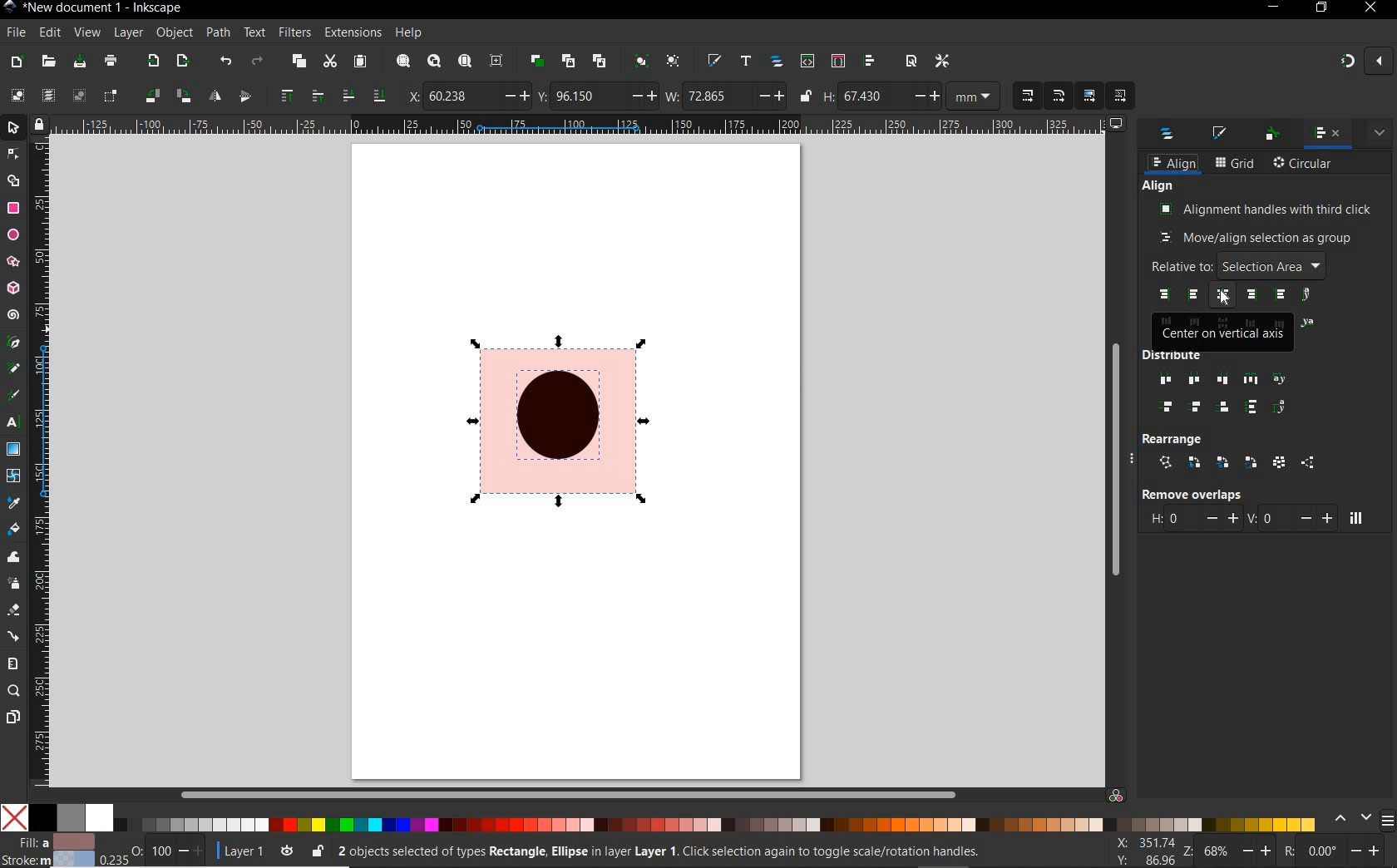 The image size is (1397, 868). Describe the element at coordinates (1118, 96) in the screenshot. I see `move pattern` at that location.